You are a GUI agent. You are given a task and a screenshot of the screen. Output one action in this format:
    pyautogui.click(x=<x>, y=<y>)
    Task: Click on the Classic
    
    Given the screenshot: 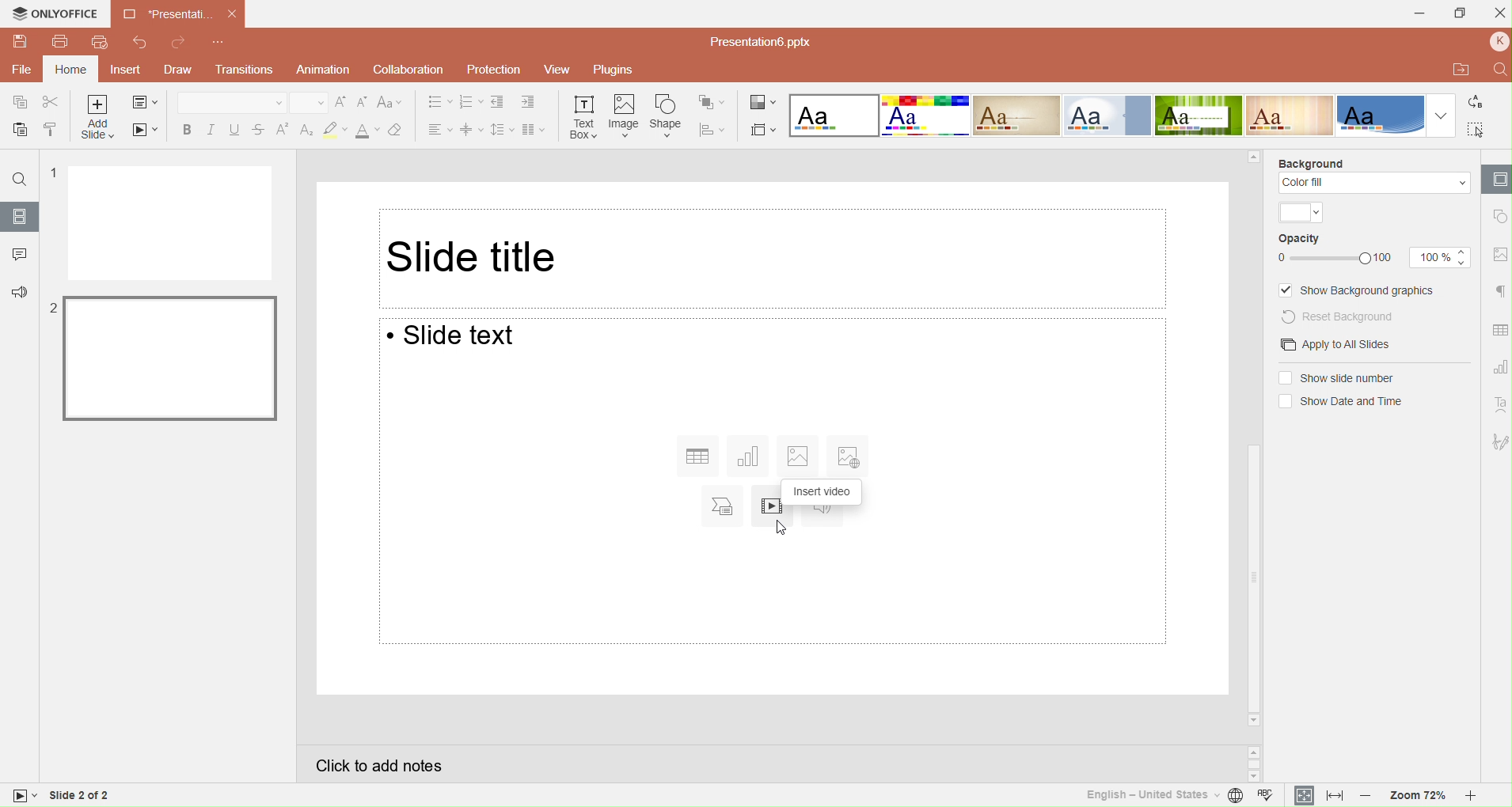 What is the action you would take?
    pyautogui.click(x=1016, y=116)
    